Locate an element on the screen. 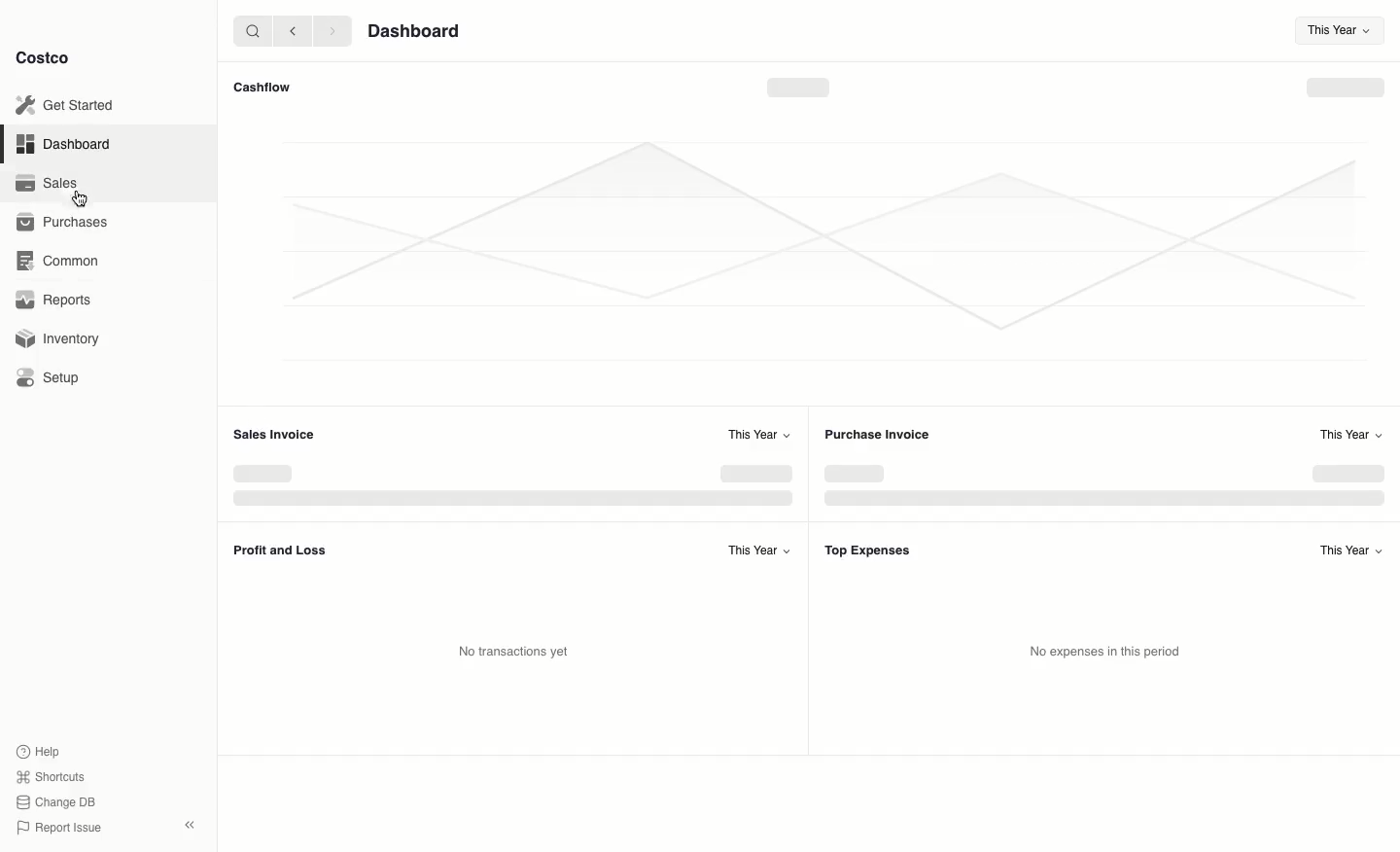  This Year is located at coordinates (1334, 30).